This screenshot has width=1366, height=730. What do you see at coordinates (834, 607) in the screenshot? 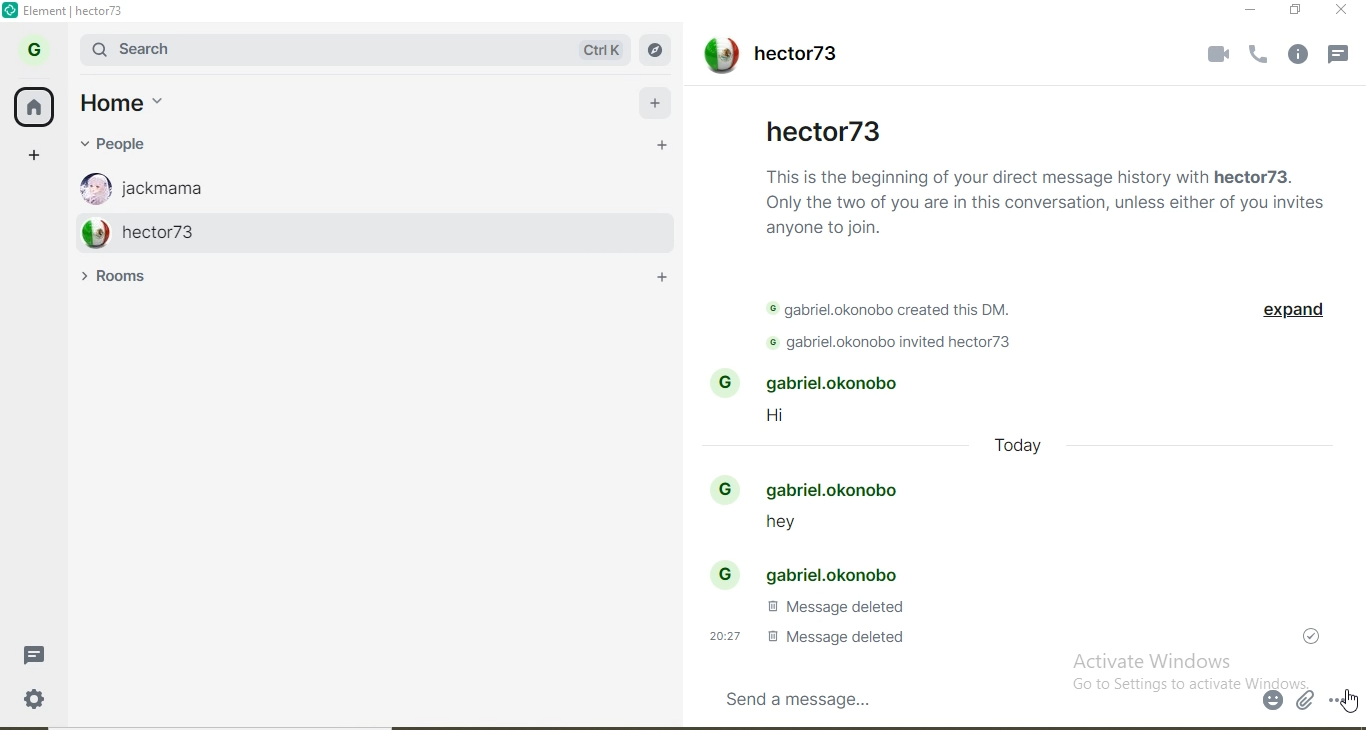
I see `text 4` at bounding box center [834, 607].